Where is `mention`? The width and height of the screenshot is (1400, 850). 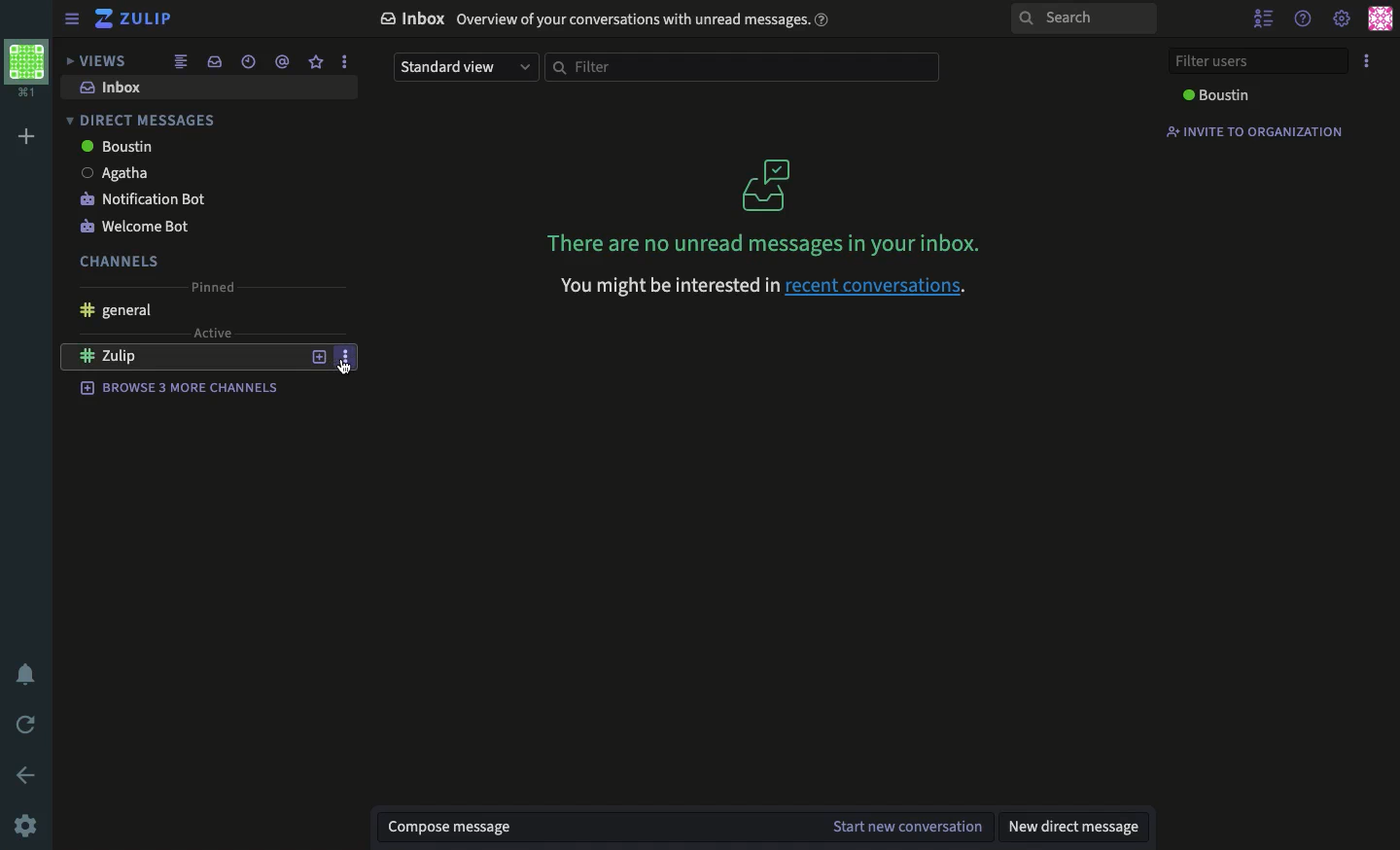
mention is located at coordinates (282, 60).